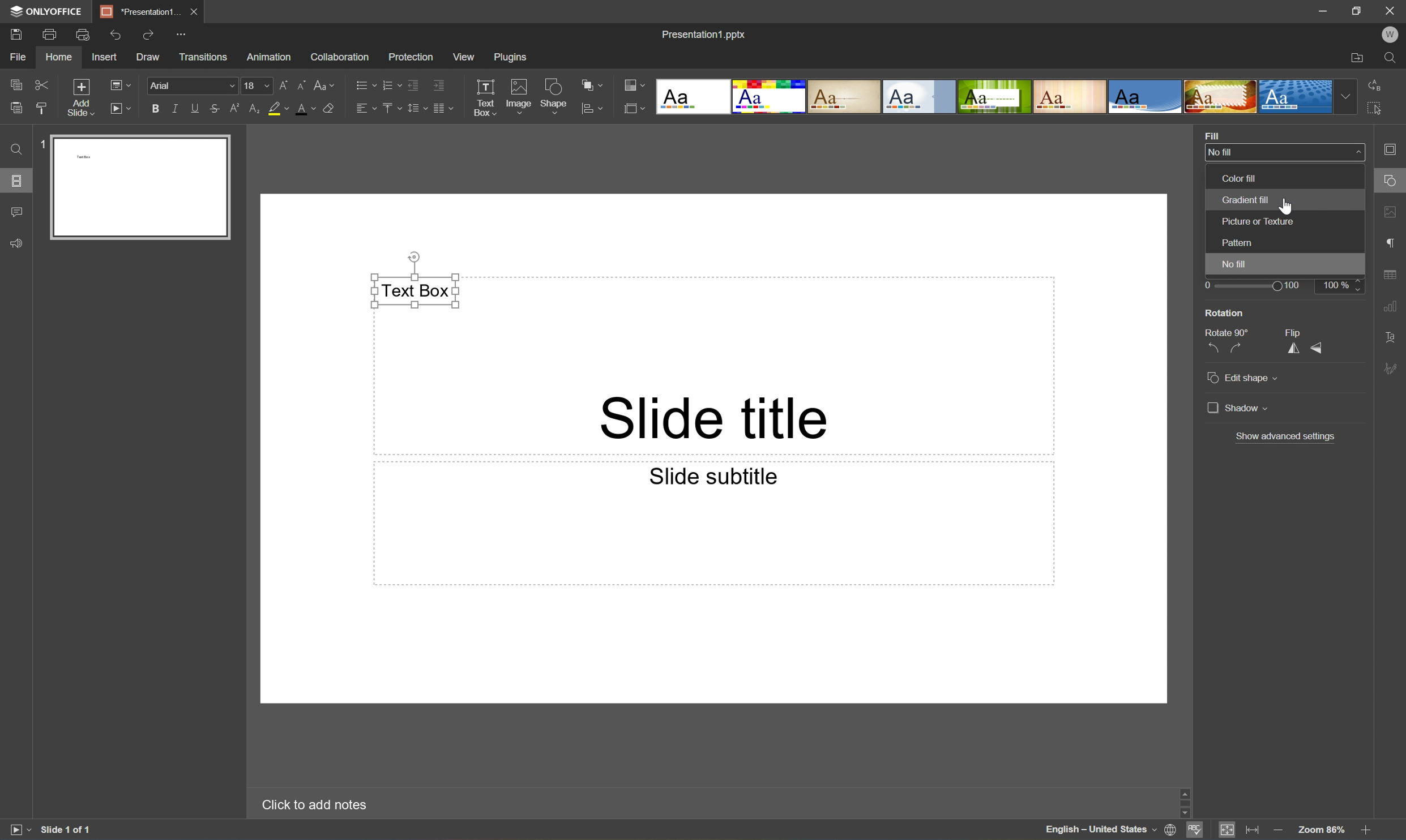 The height and width of the screenshot is (840, 1406). I want to click on Image, so click(519, 96).